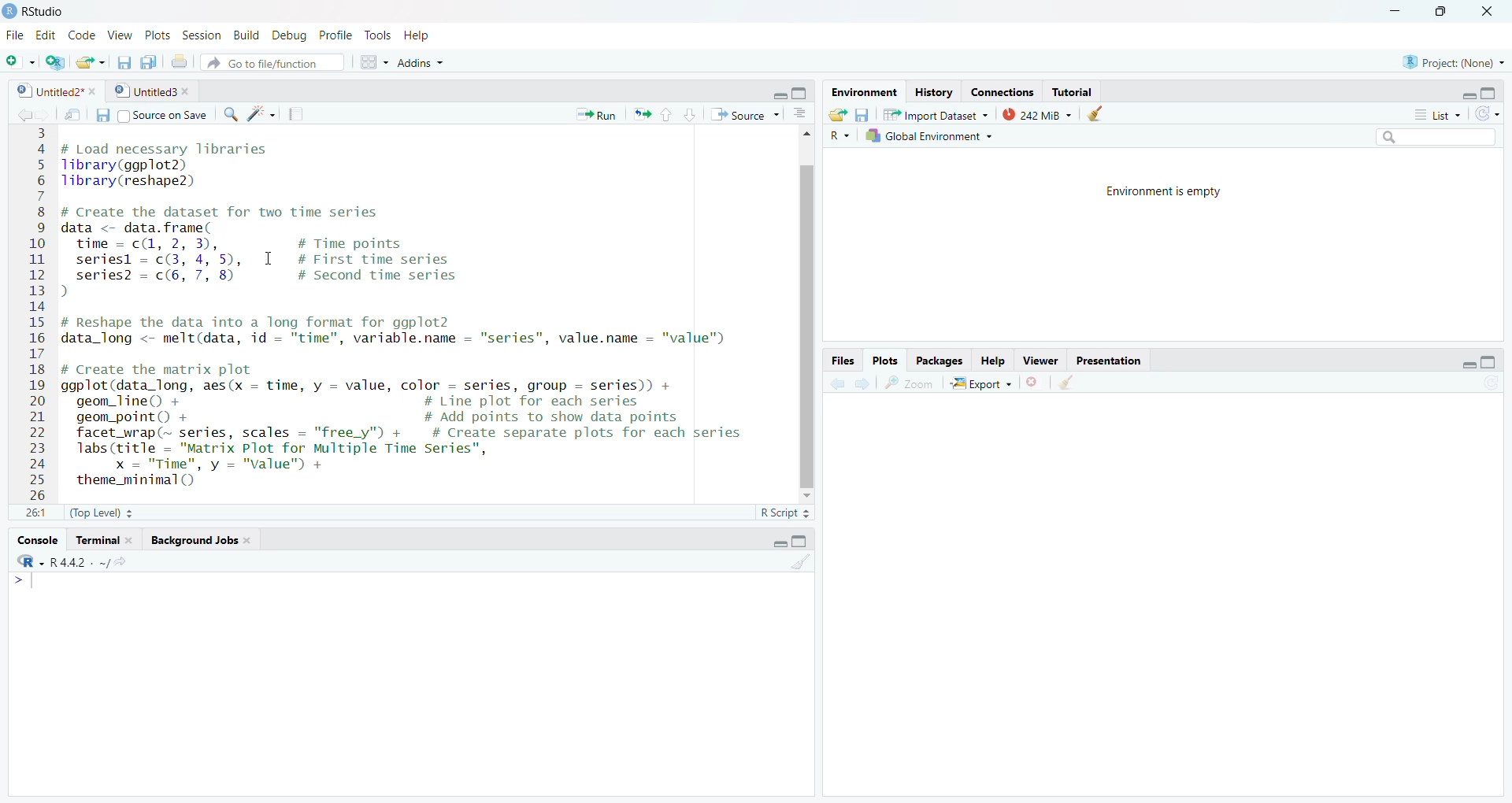 The width and height of the screenshot is (1512, 803). I want to click on 0 | Untitled2*, so click(47, 91).